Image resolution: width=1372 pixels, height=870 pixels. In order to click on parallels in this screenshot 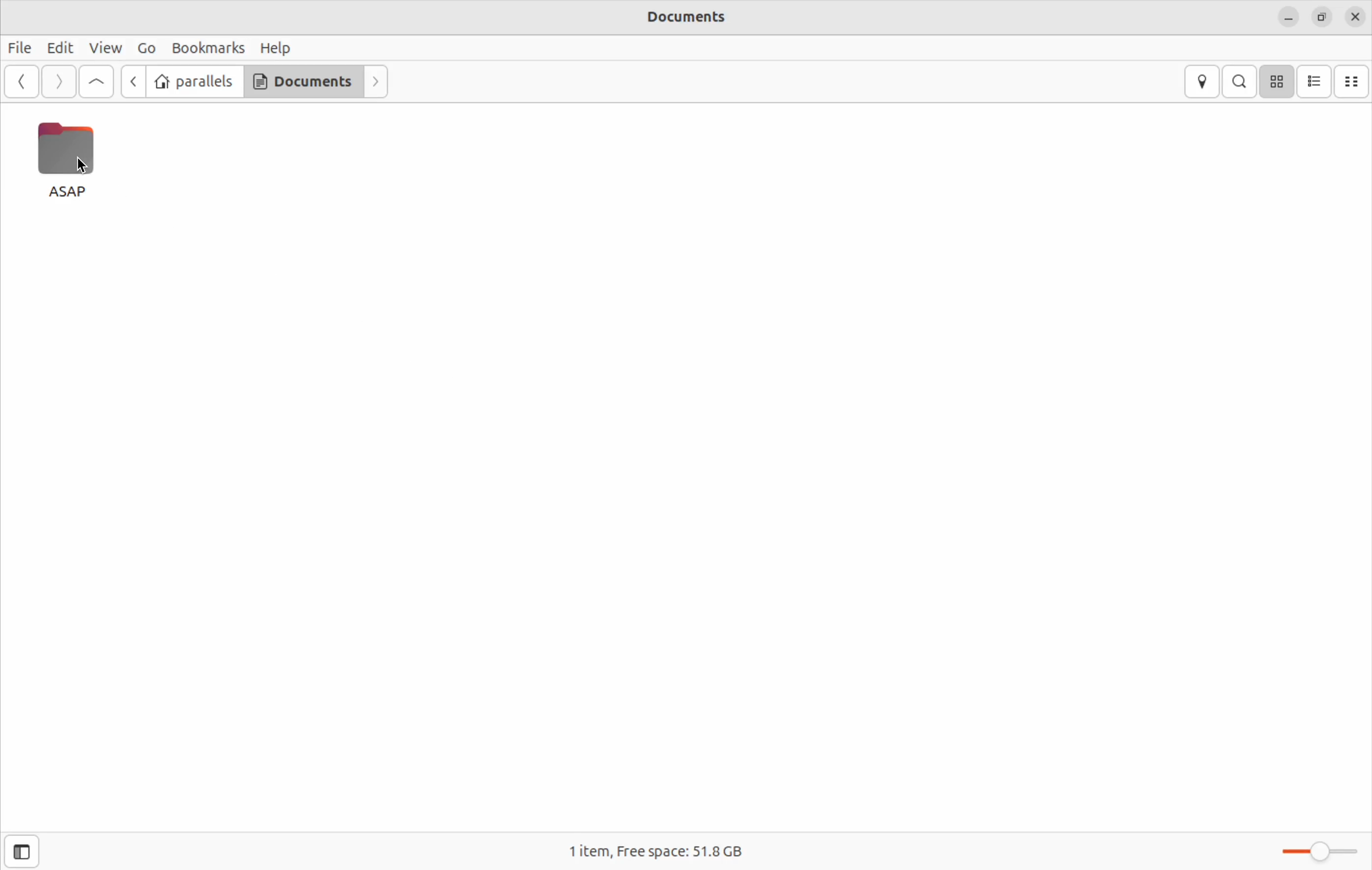, I will do `click(195, 81)`.